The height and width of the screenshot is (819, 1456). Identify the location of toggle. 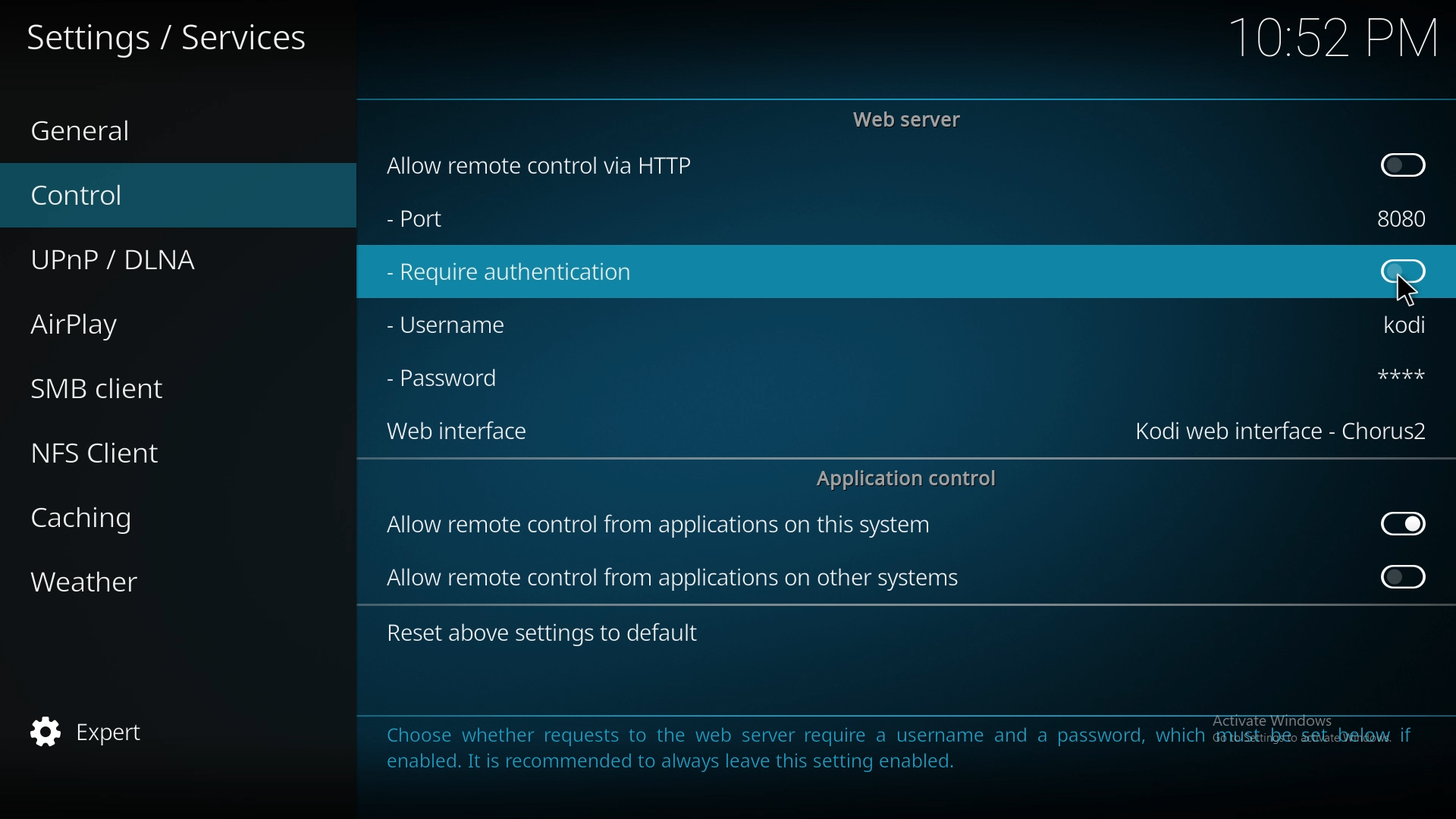
(1406, 576).